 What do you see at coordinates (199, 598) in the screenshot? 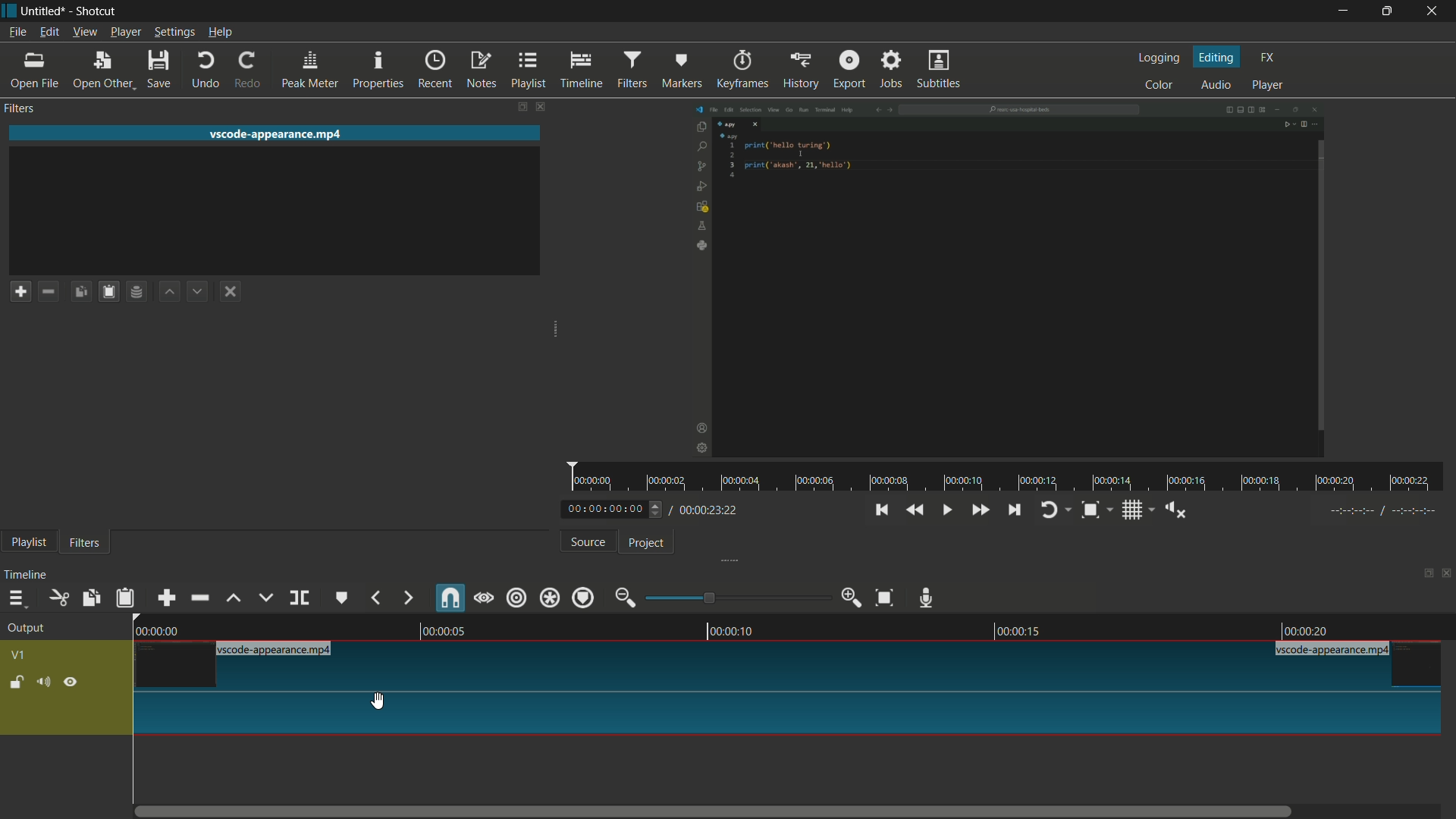
I see `ripple delete` at bounding box center [199, 598].